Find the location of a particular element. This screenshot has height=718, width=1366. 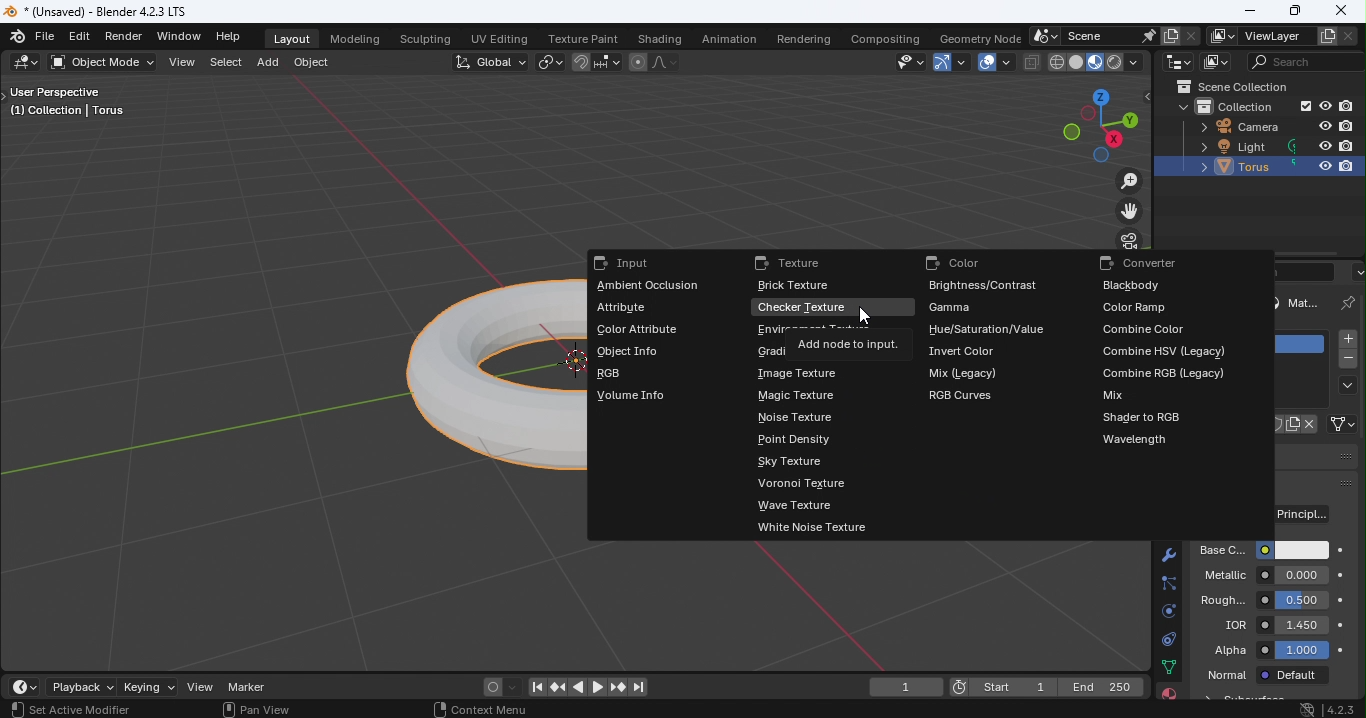

Viewport shading is located at coordinates (1056, 62).